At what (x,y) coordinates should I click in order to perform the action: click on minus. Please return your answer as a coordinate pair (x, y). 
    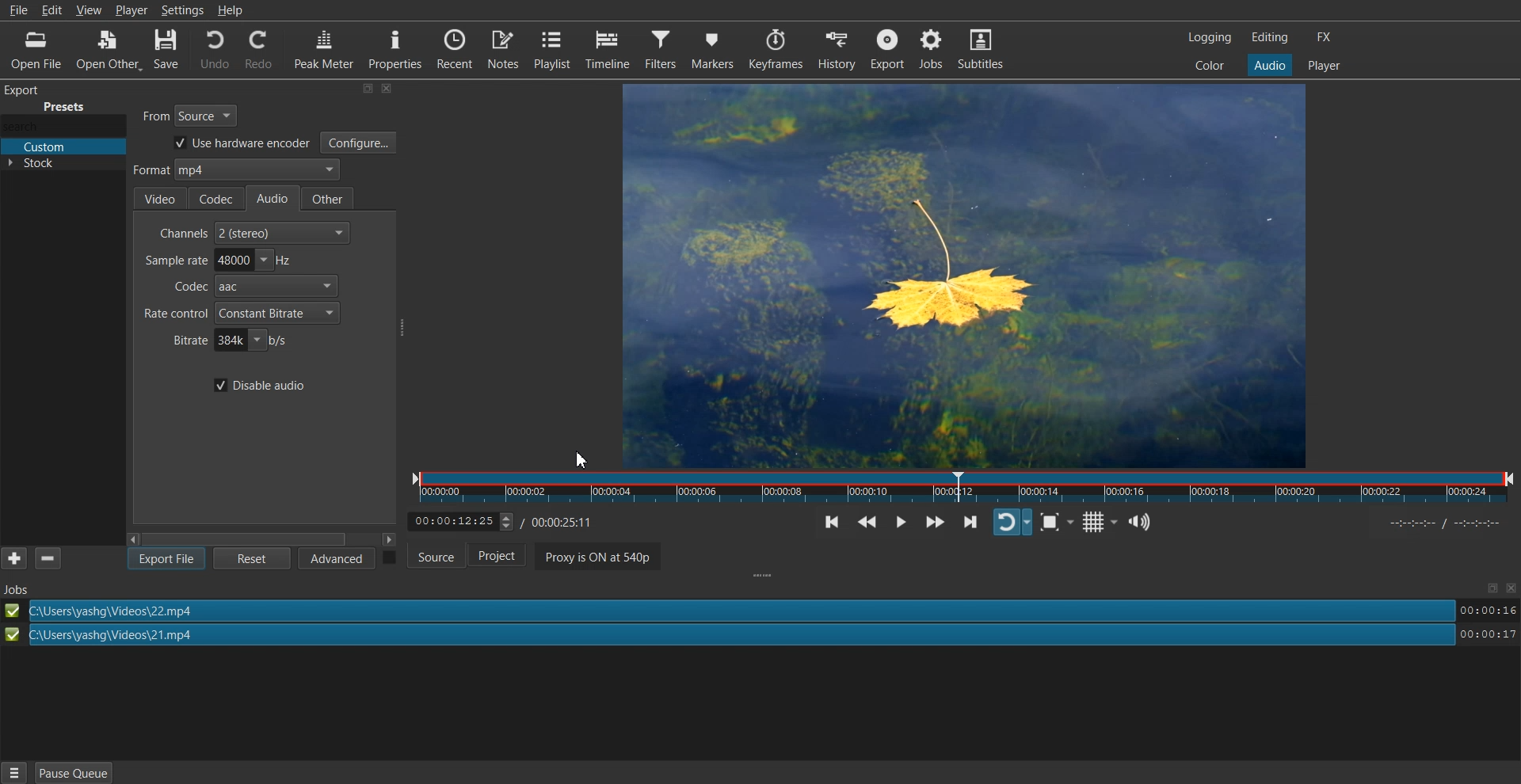
    Looking at the image, I should click on (47, 558).